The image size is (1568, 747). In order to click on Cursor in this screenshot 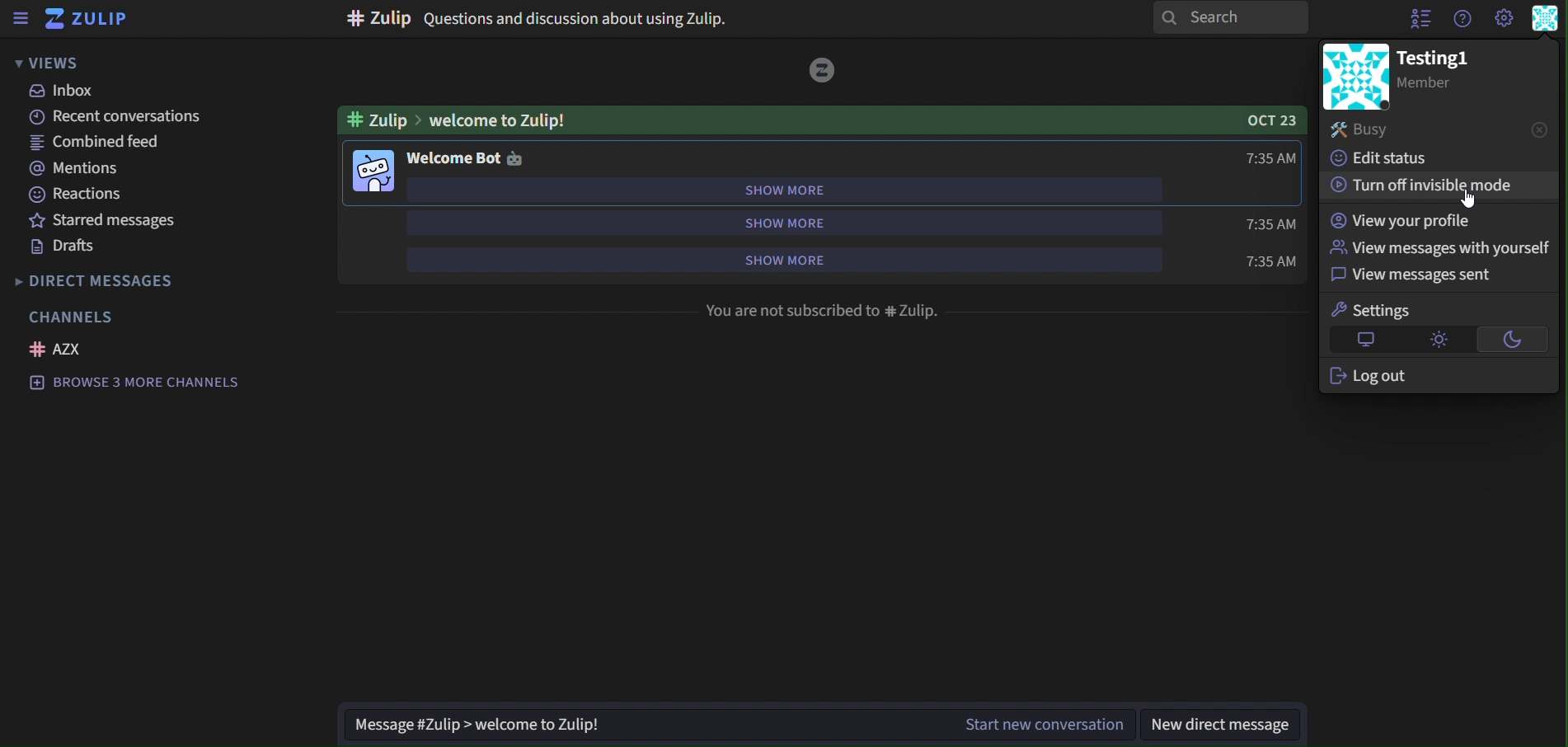, I will do `click(1468, 200)`.